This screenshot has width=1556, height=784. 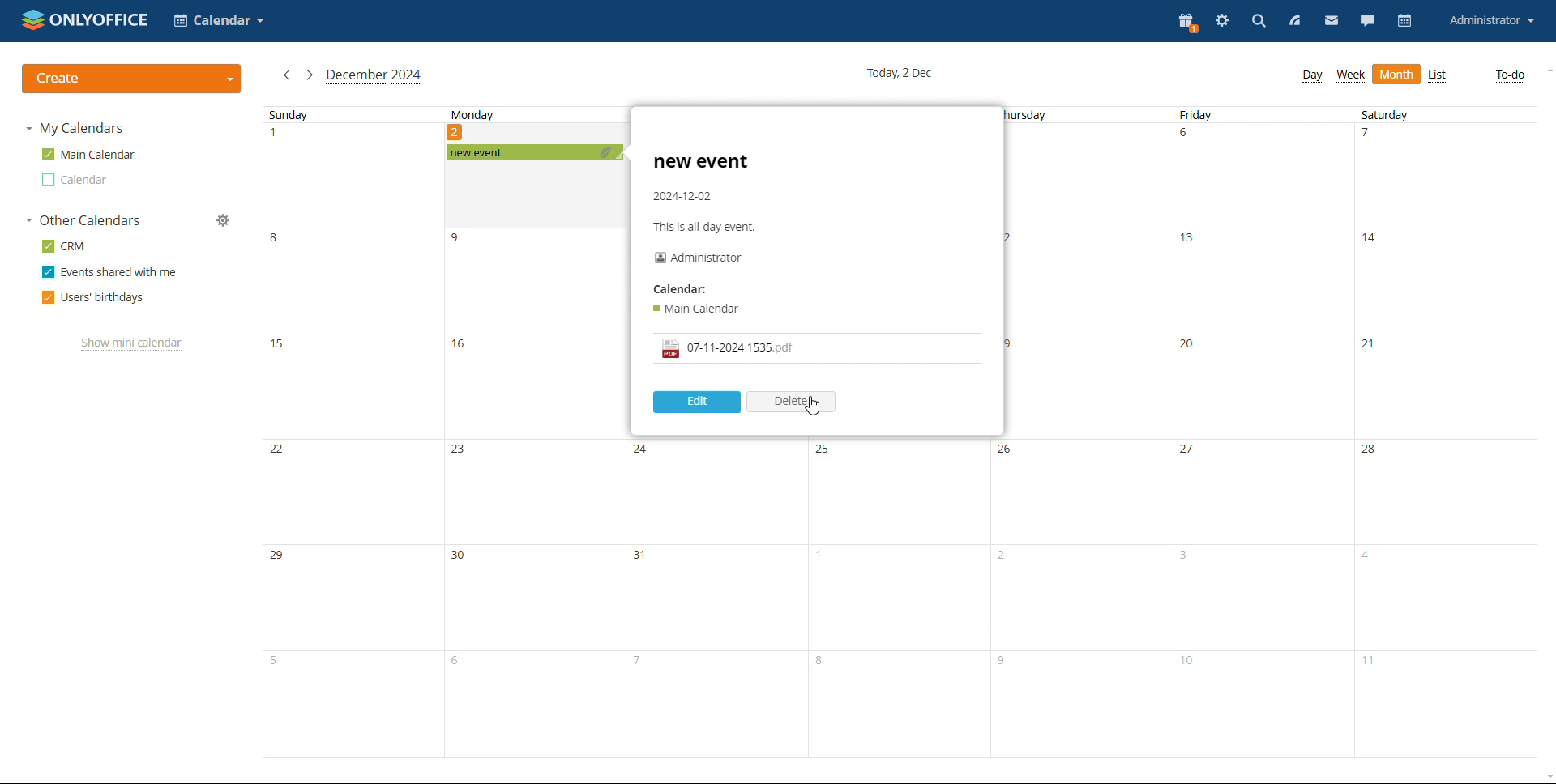 What do you see at coordinates (794, 400) in the screenshot?
I see `Delete` at bounding box center [794, 400].